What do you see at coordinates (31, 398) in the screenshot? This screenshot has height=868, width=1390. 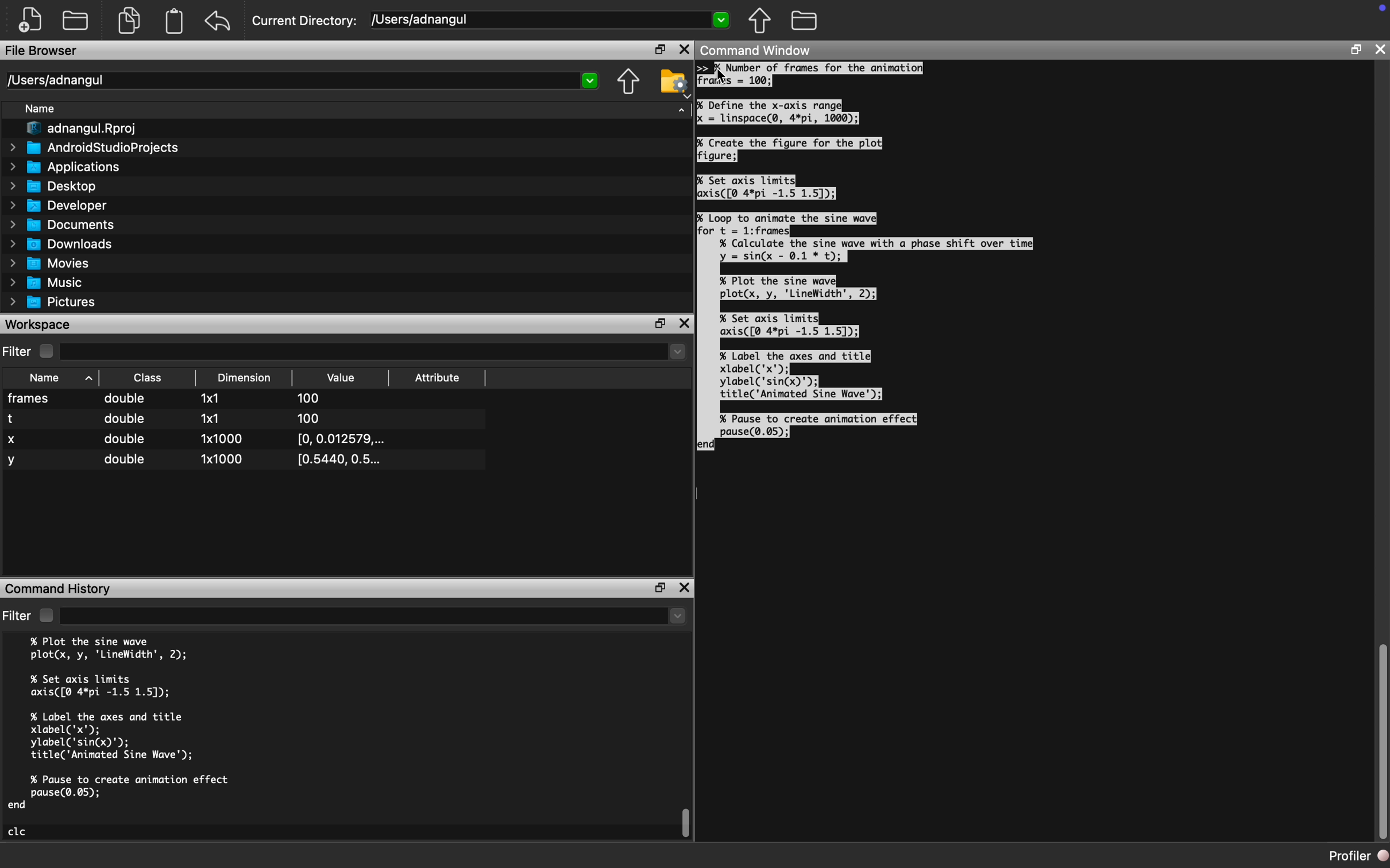 I see `frames` at bounding box center [31, 398].